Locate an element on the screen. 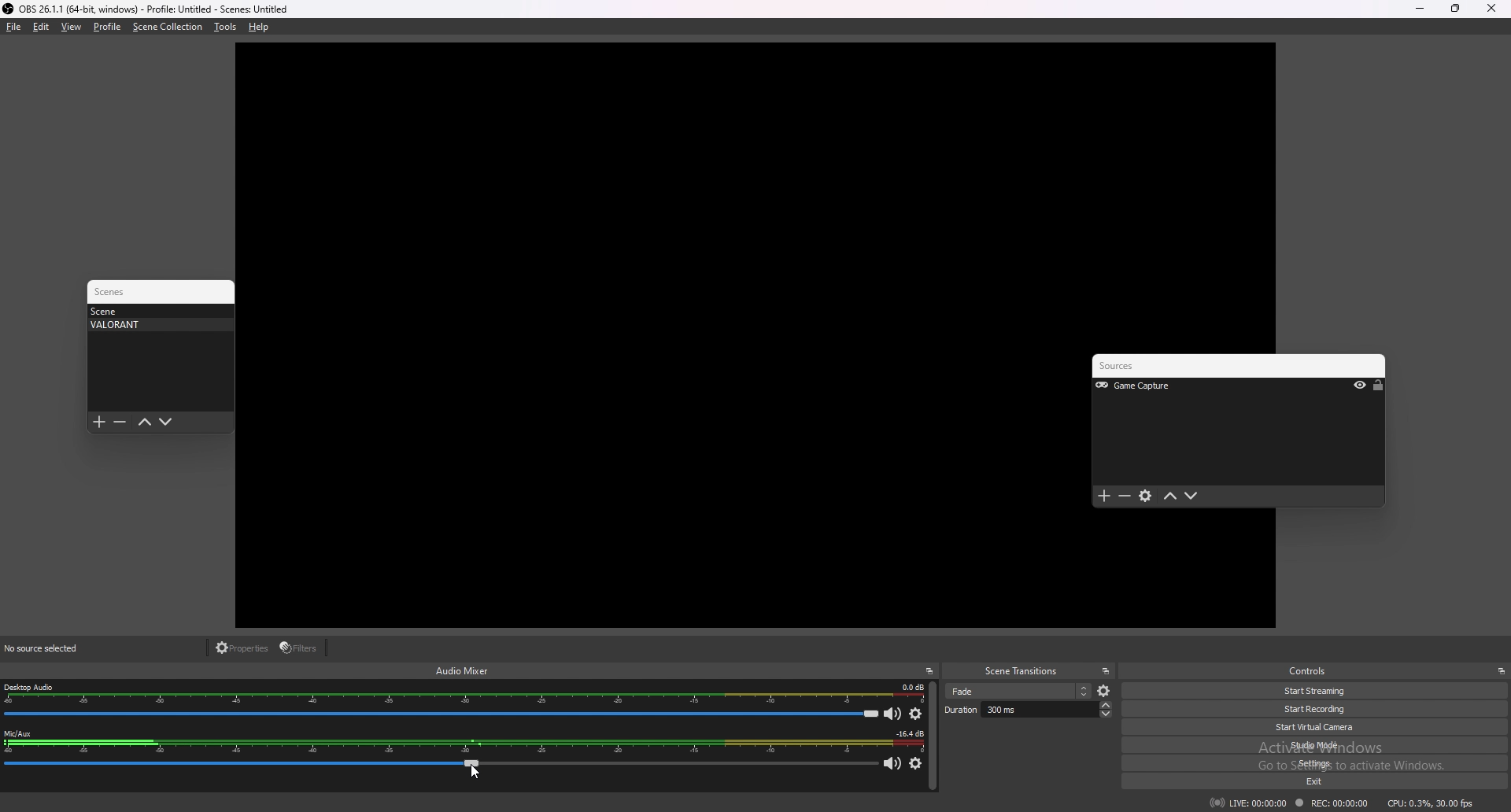 The height and width of the screenshot is (812, 1511). lock is located at coordinates (1378, 386).